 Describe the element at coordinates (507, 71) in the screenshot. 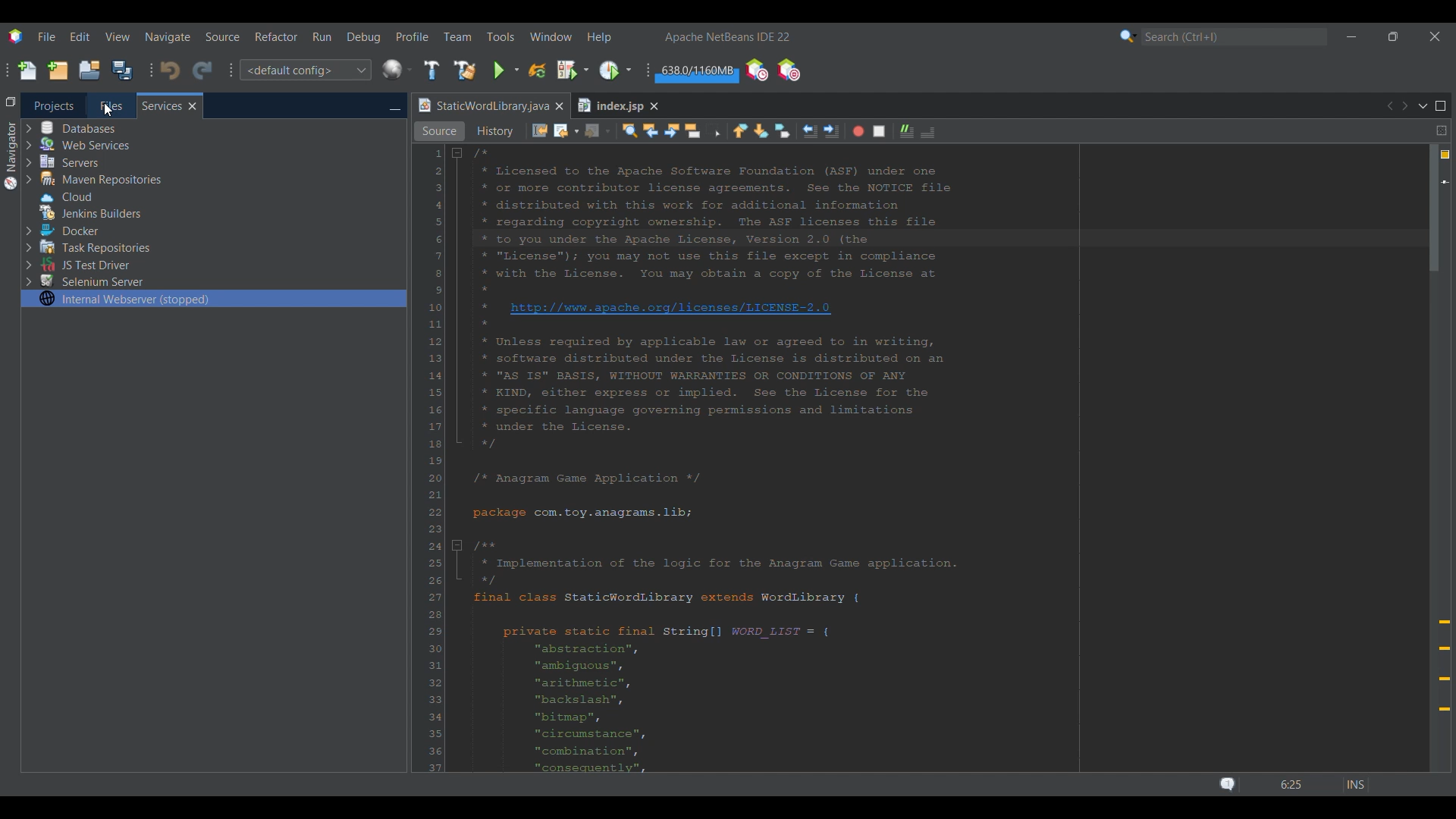

I see `Run main project options` at that location.